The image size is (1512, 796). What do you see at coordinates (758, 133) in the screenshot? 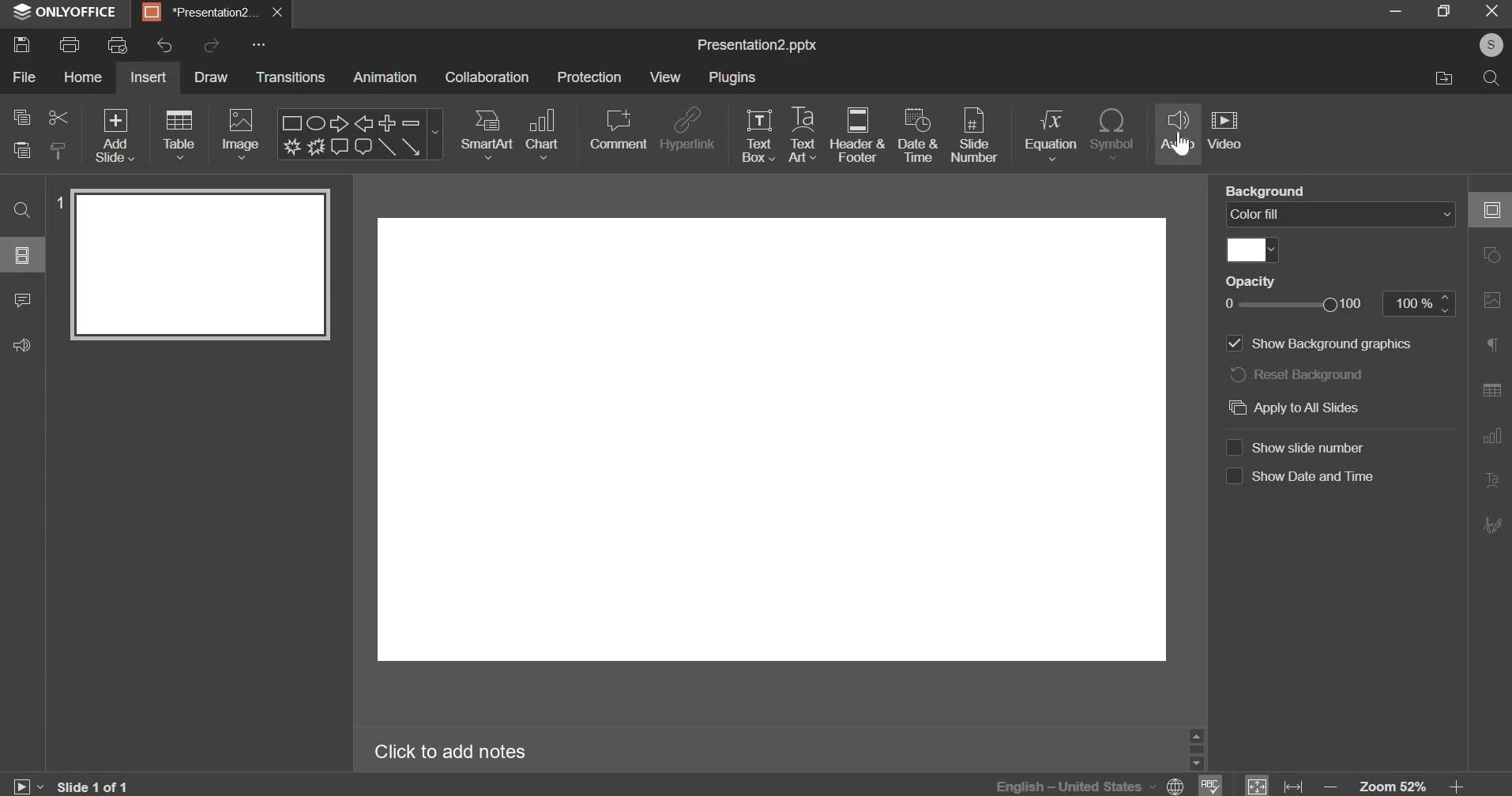
I see `text box` at bounding box center [758, 133].